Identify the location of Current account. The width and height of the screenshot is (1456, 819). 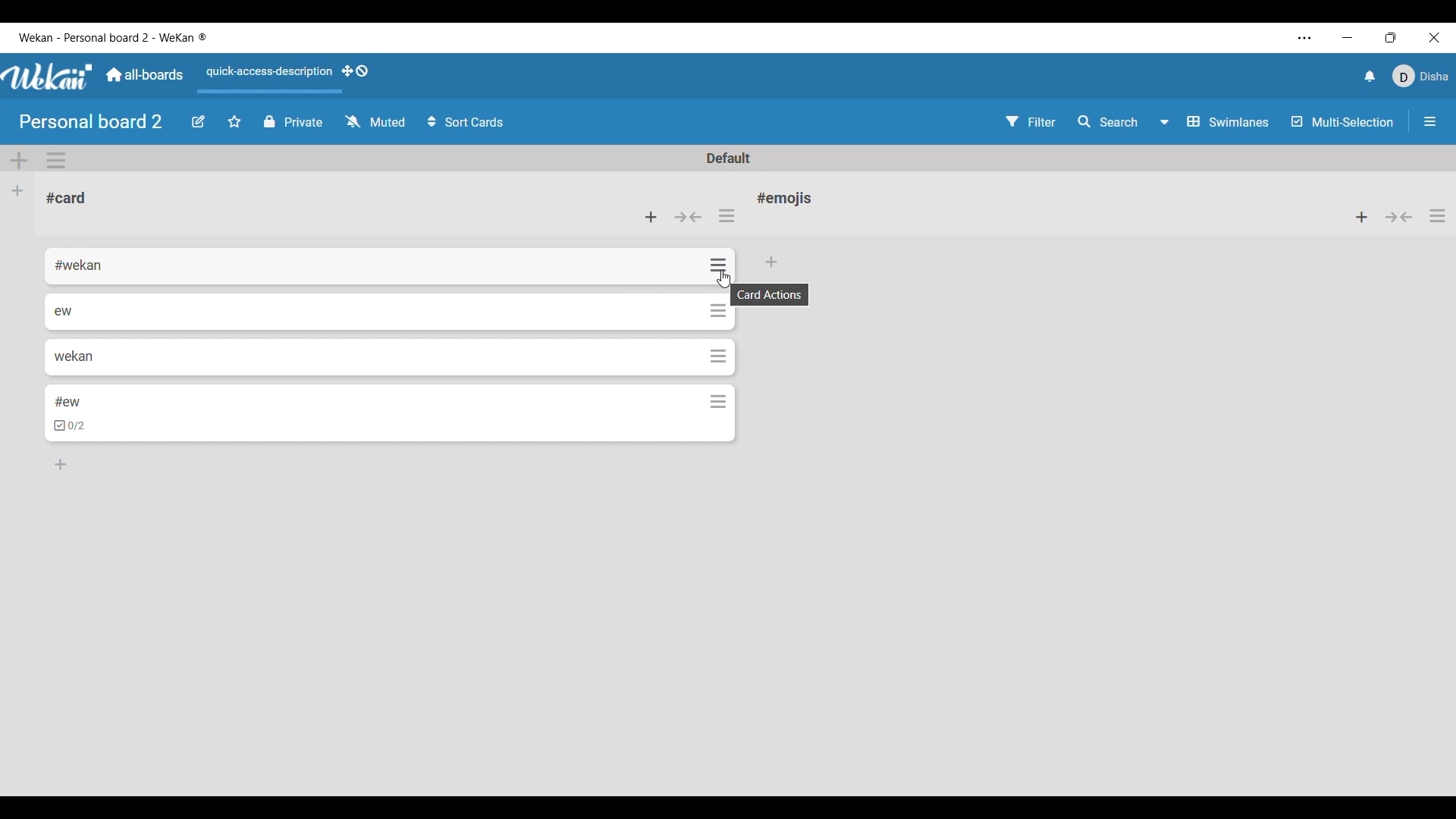
(1420, 76).